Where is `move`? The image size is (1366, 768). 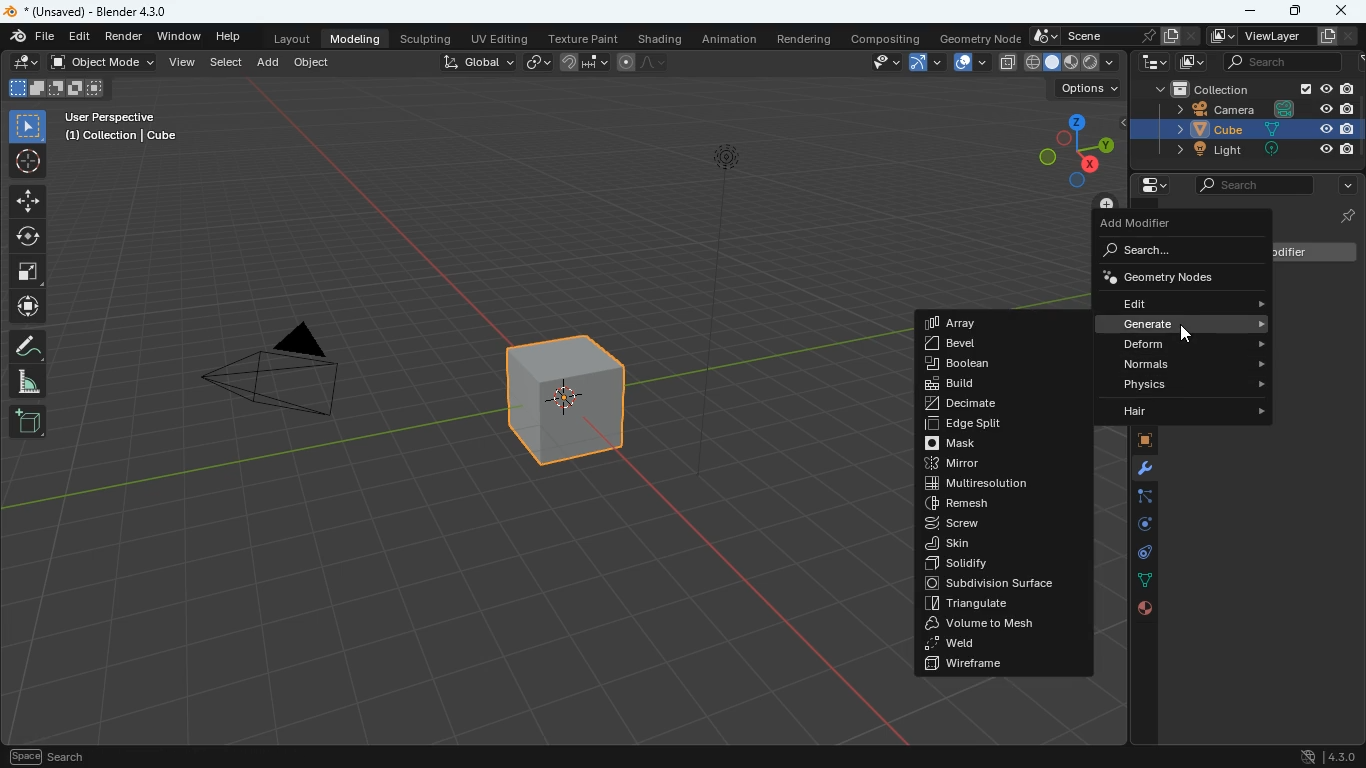
move is located at coordinates (29, 201).